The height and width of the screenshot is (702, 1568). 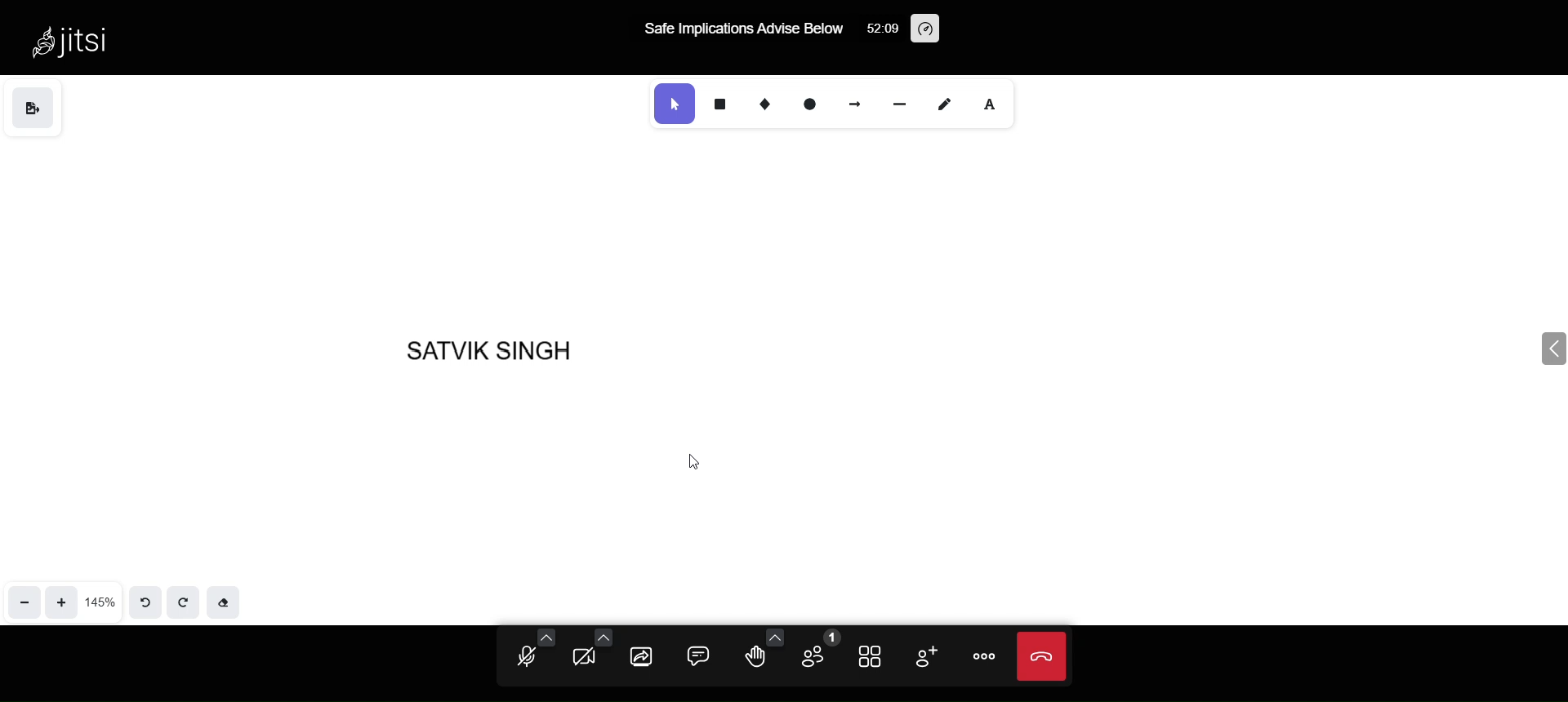 What do you see at coordinates (944, 104) in the screenshot?
I see `draw` at bounding box center [944, 104].